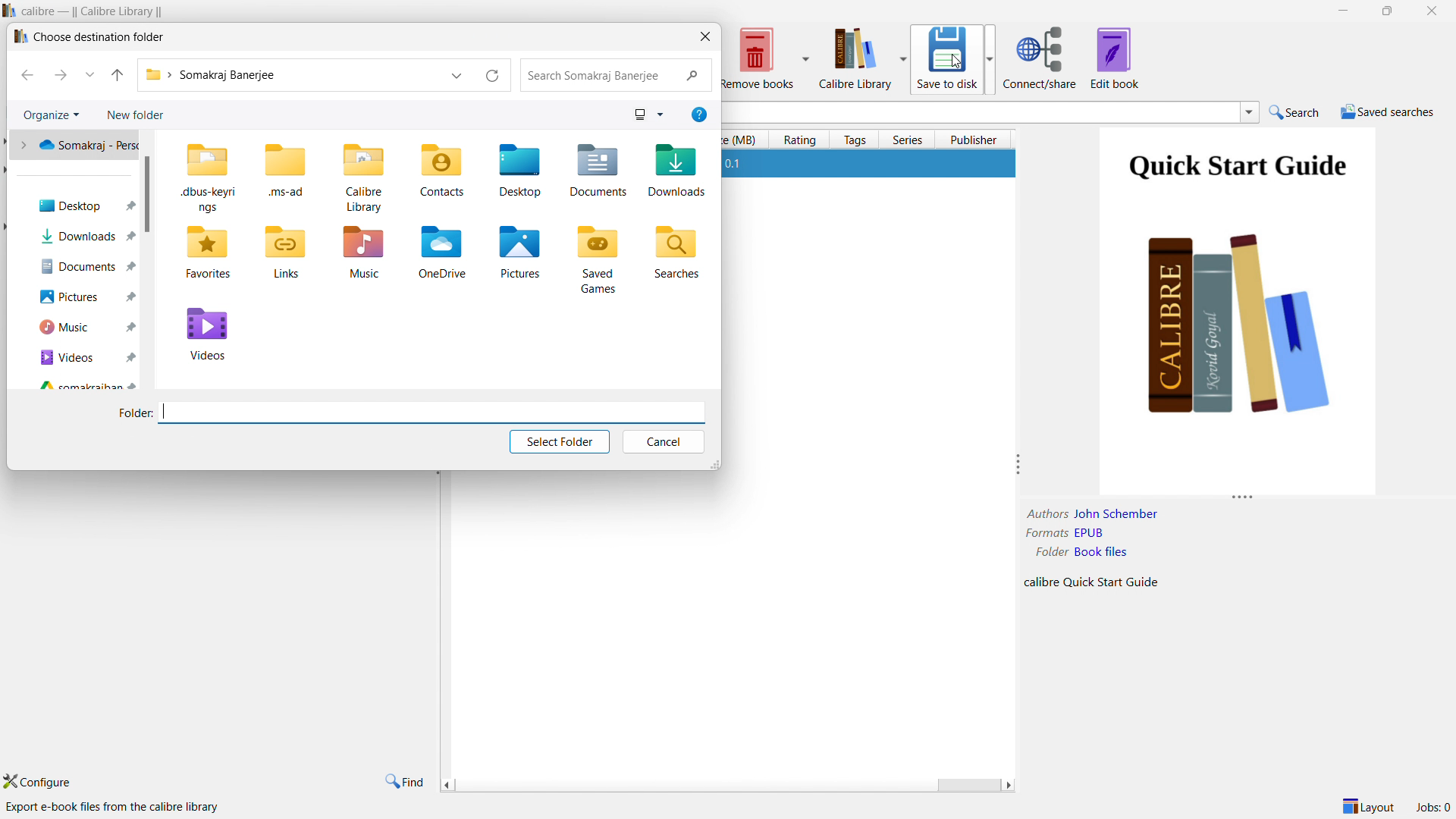 This screenshot has width=1456, height=819. I want to click on search bar, so click(438, 413).